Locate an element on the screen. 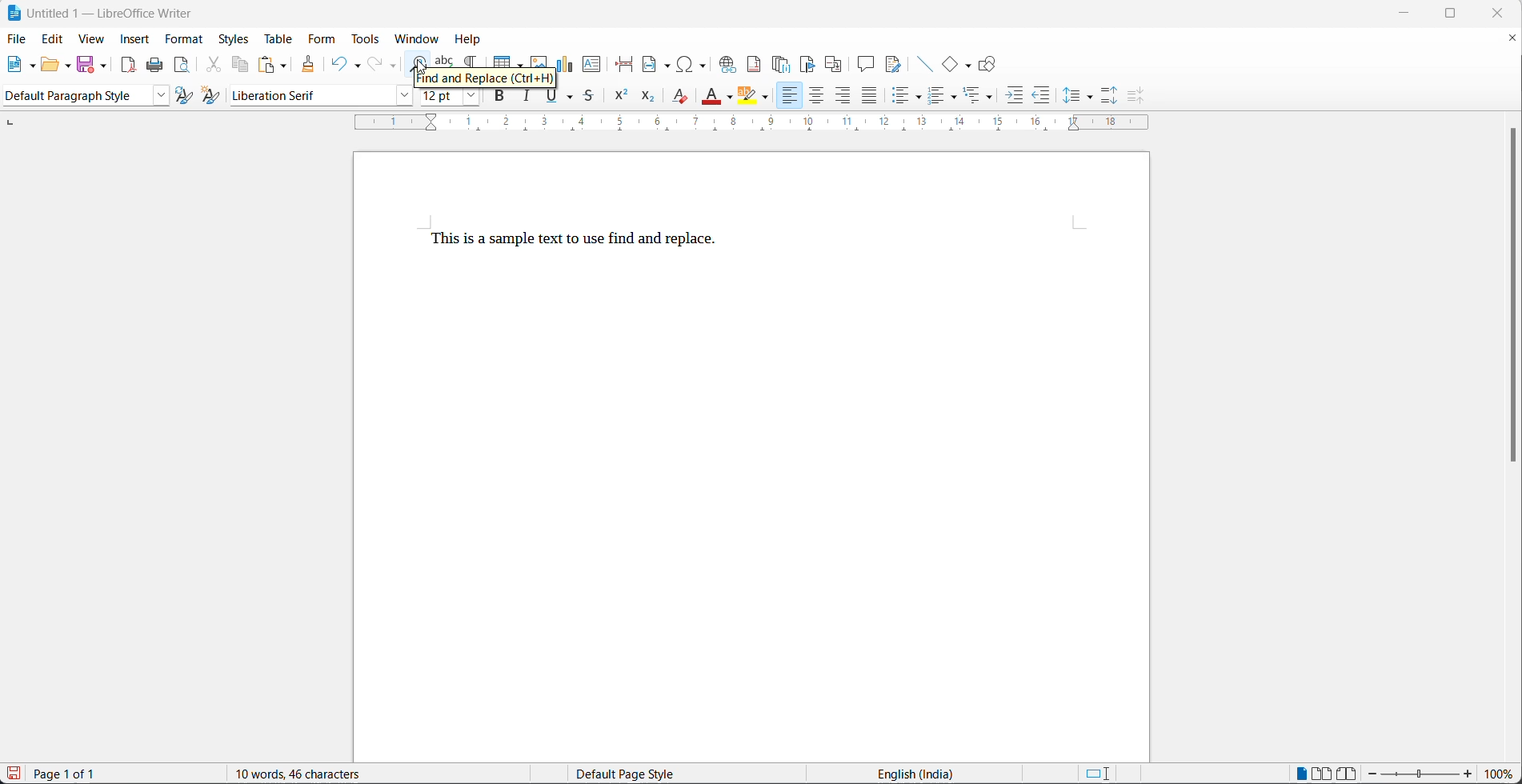  text align left is located at coordinates (844, 98).